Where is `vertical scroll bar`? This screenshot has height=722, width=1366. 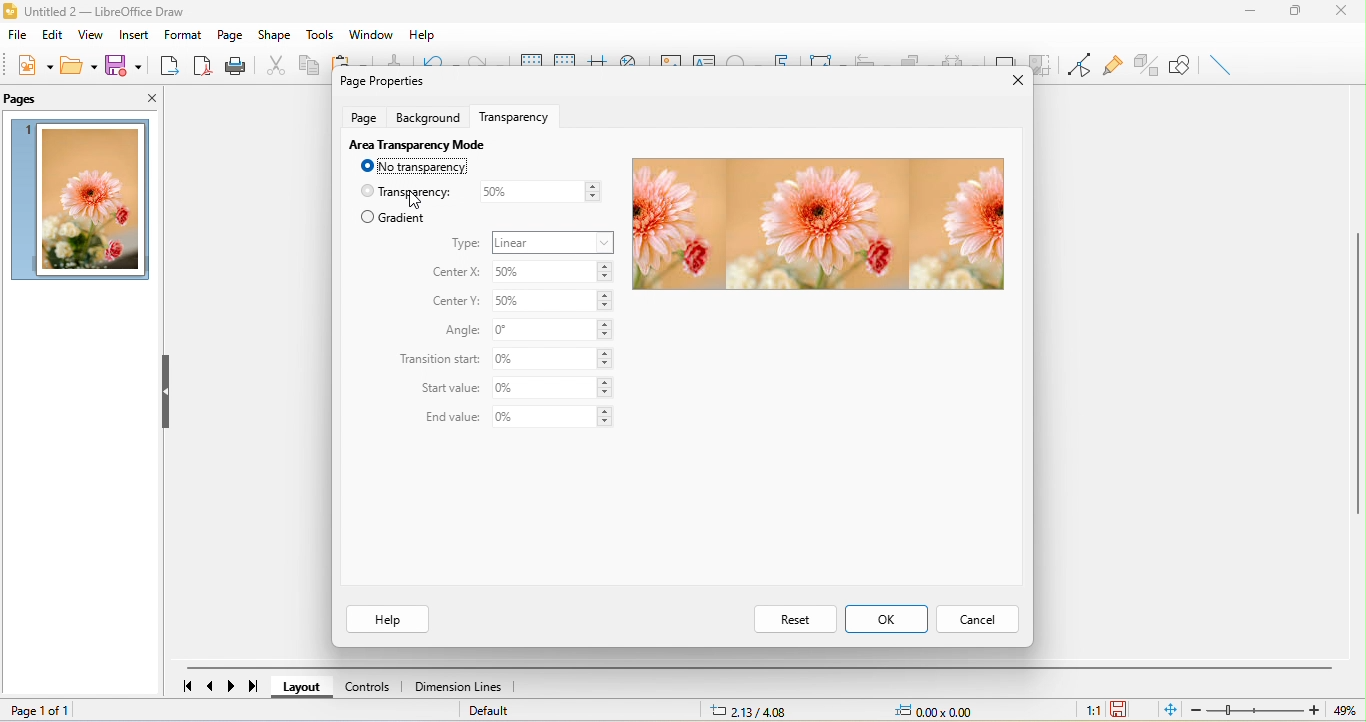
vertical scroll bar is located at coordinates (1357, 371).